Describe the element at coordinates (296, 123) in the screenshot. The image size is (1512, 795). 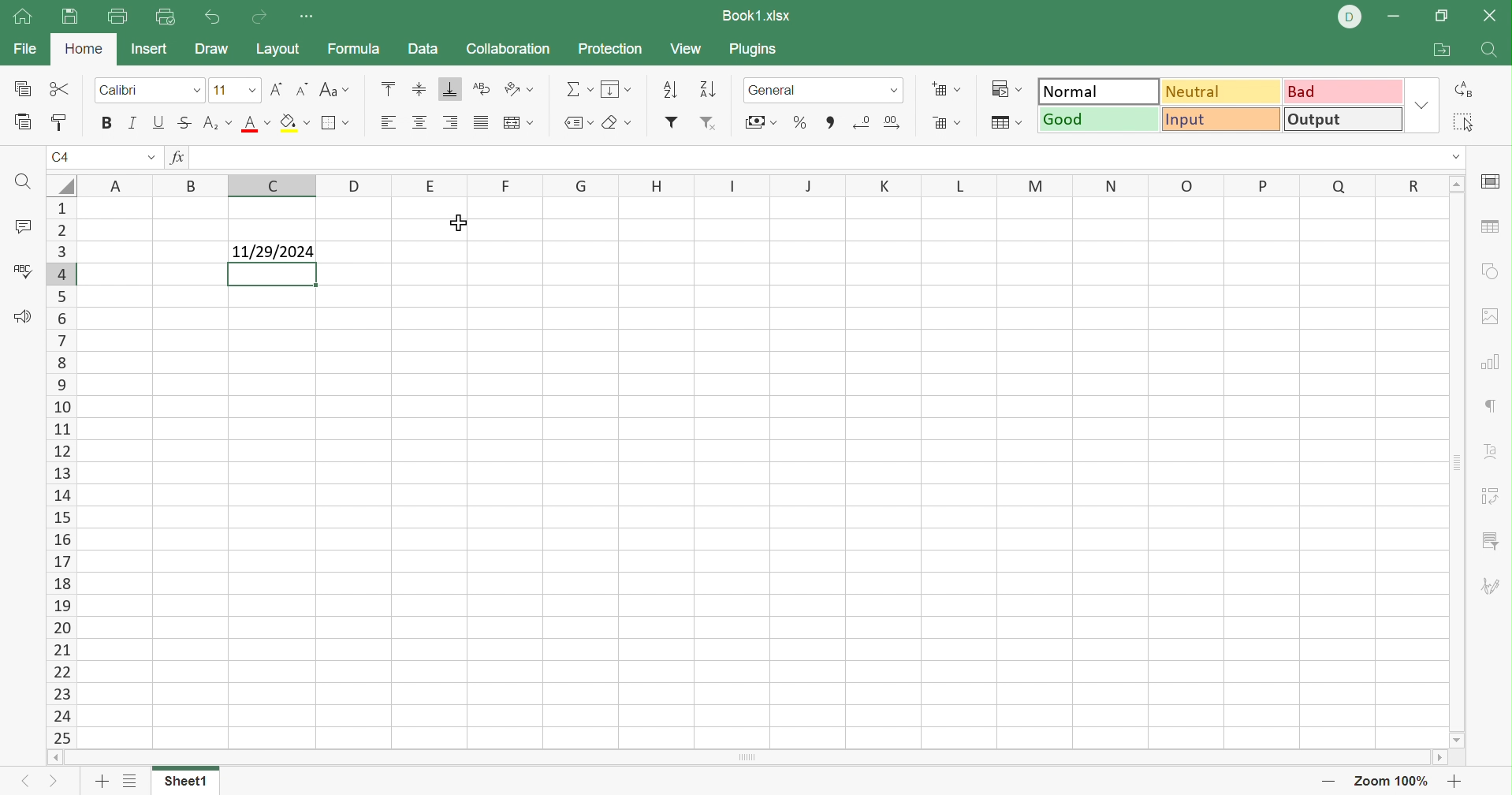
I see `Fill color` at that location.